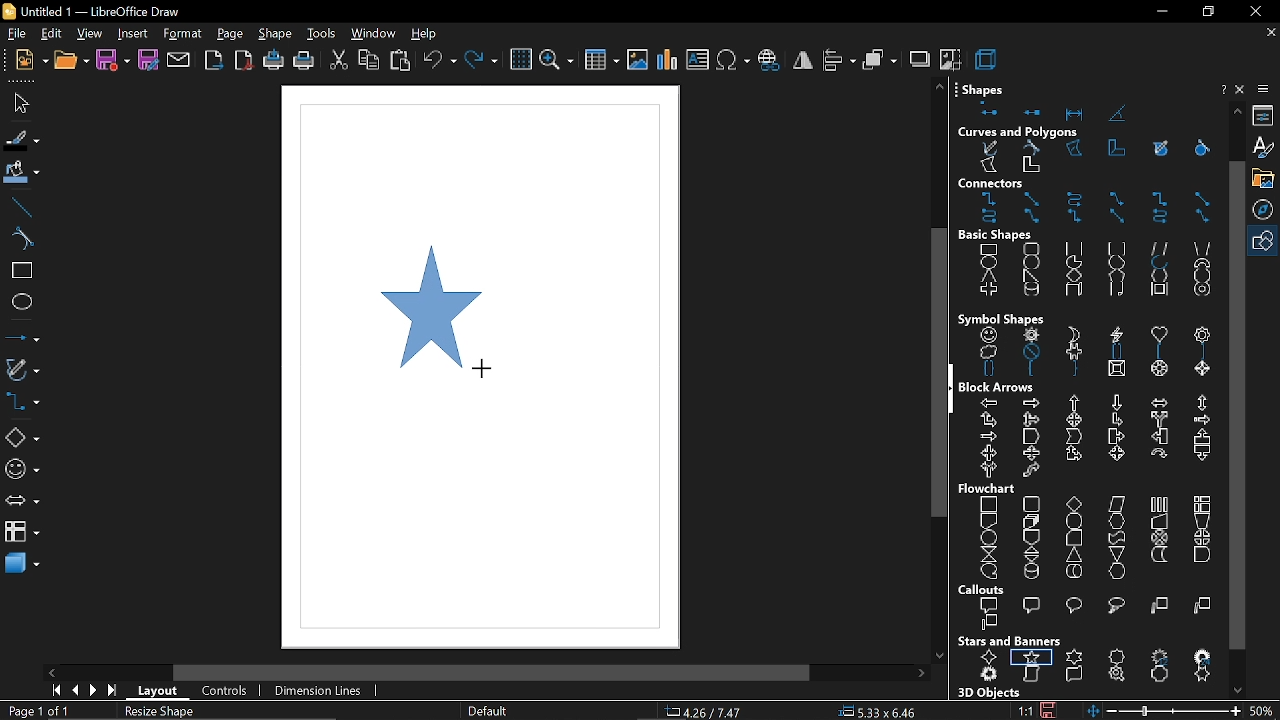 The height and width of the screenshot is (720, 1280). I want to click on paste, so click(401, 60).